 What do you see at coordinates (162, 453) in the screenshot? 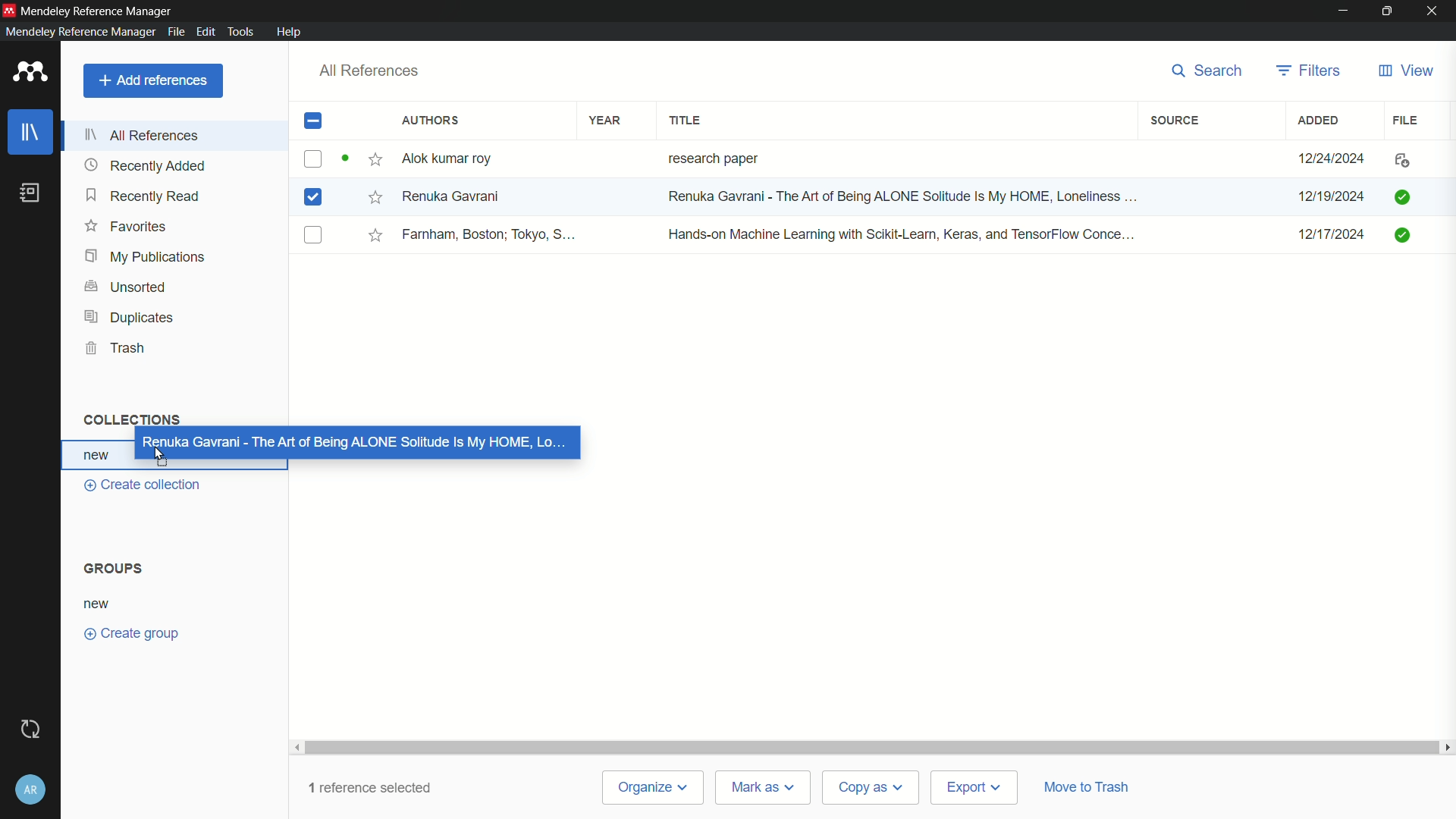
I see `cursor` at bounding box center [162, 453].